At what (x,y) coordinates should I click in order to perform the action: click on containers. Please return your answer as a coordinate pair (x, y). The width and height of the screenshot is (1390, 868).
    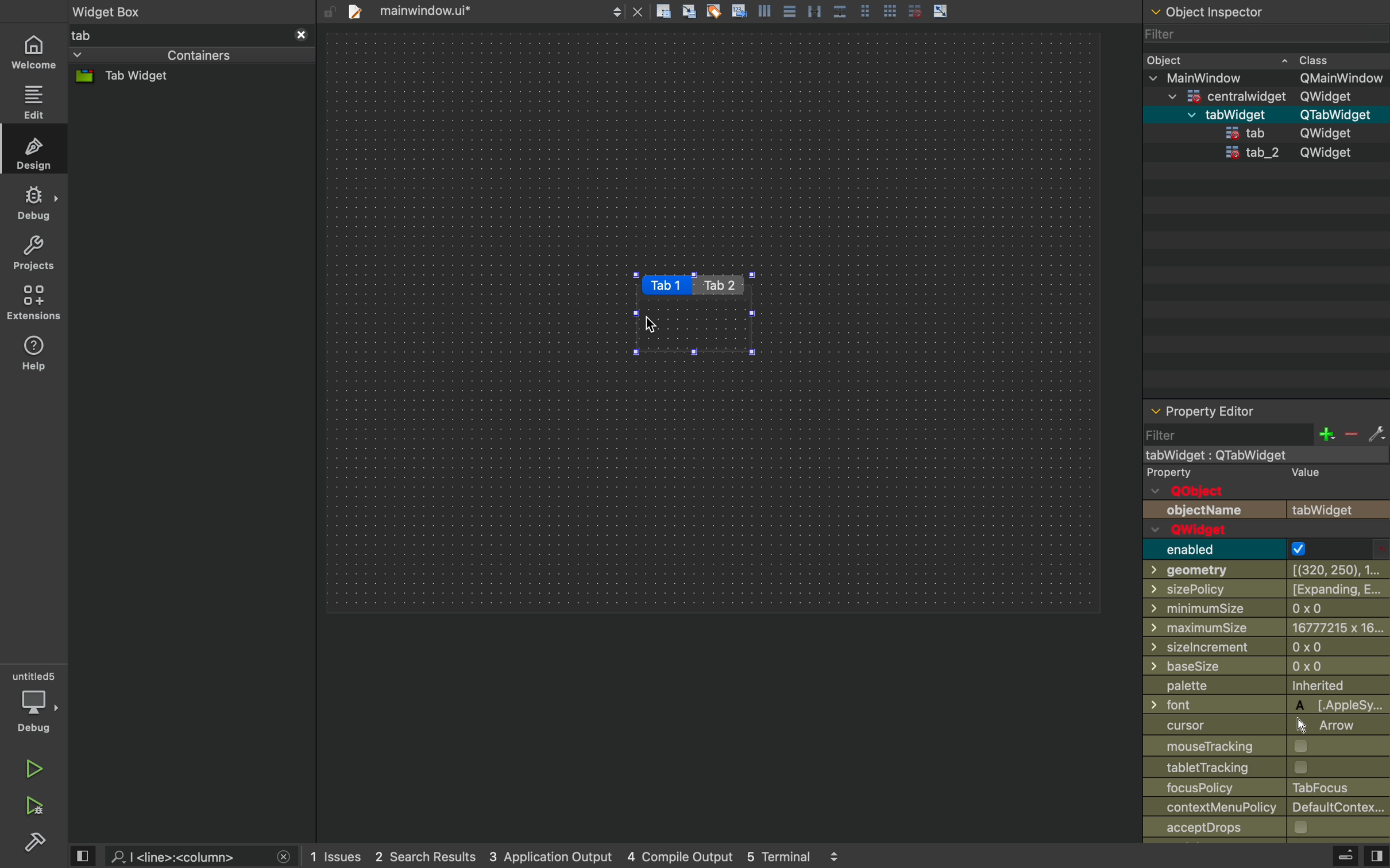
    Looking at the image, I should click on (155, 56).